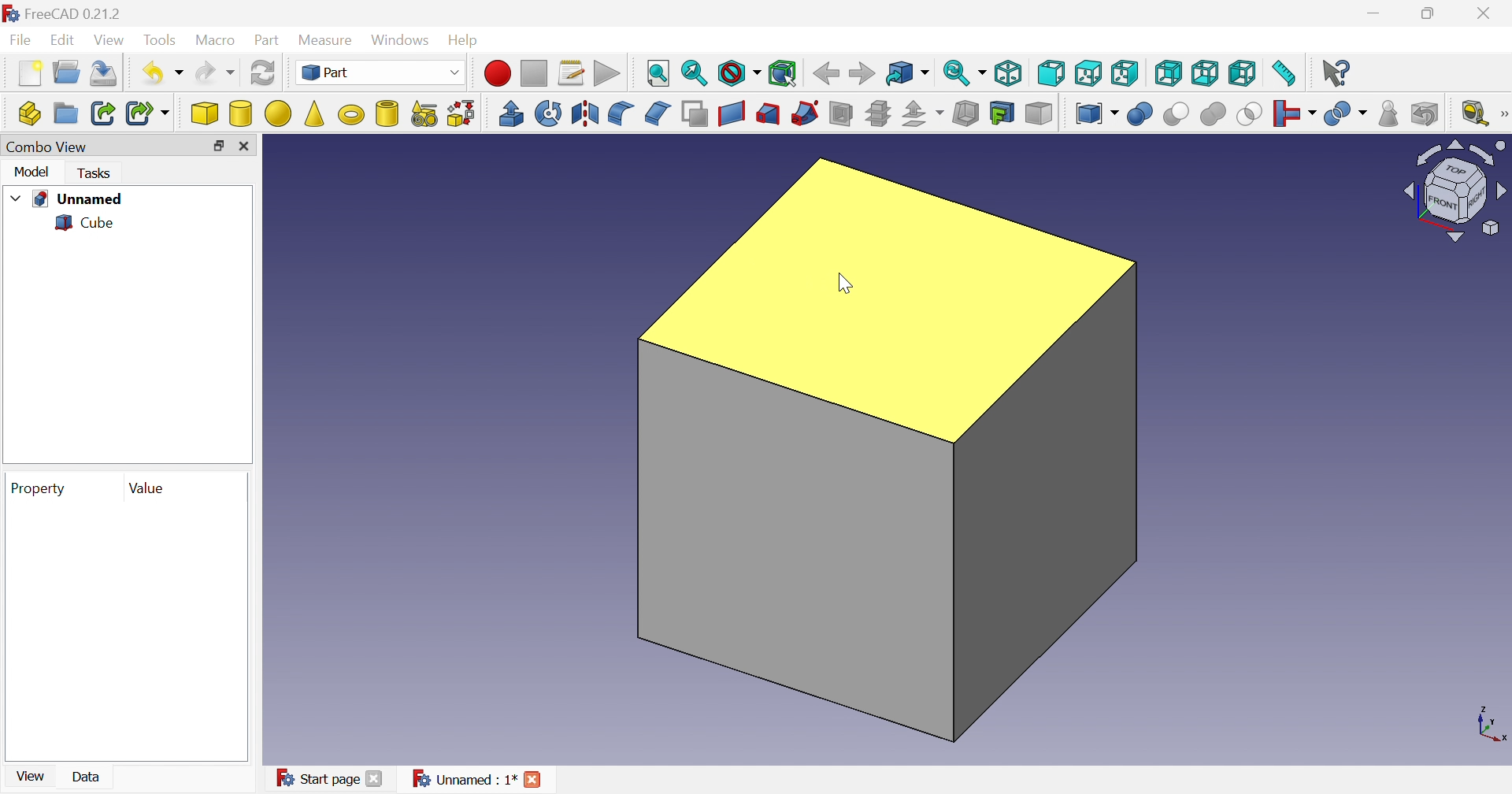 The height and width of the screenshot is (794, 1512). Describe the element at coordinates (827, 74) in the screenshot. I see `Back` at that location.